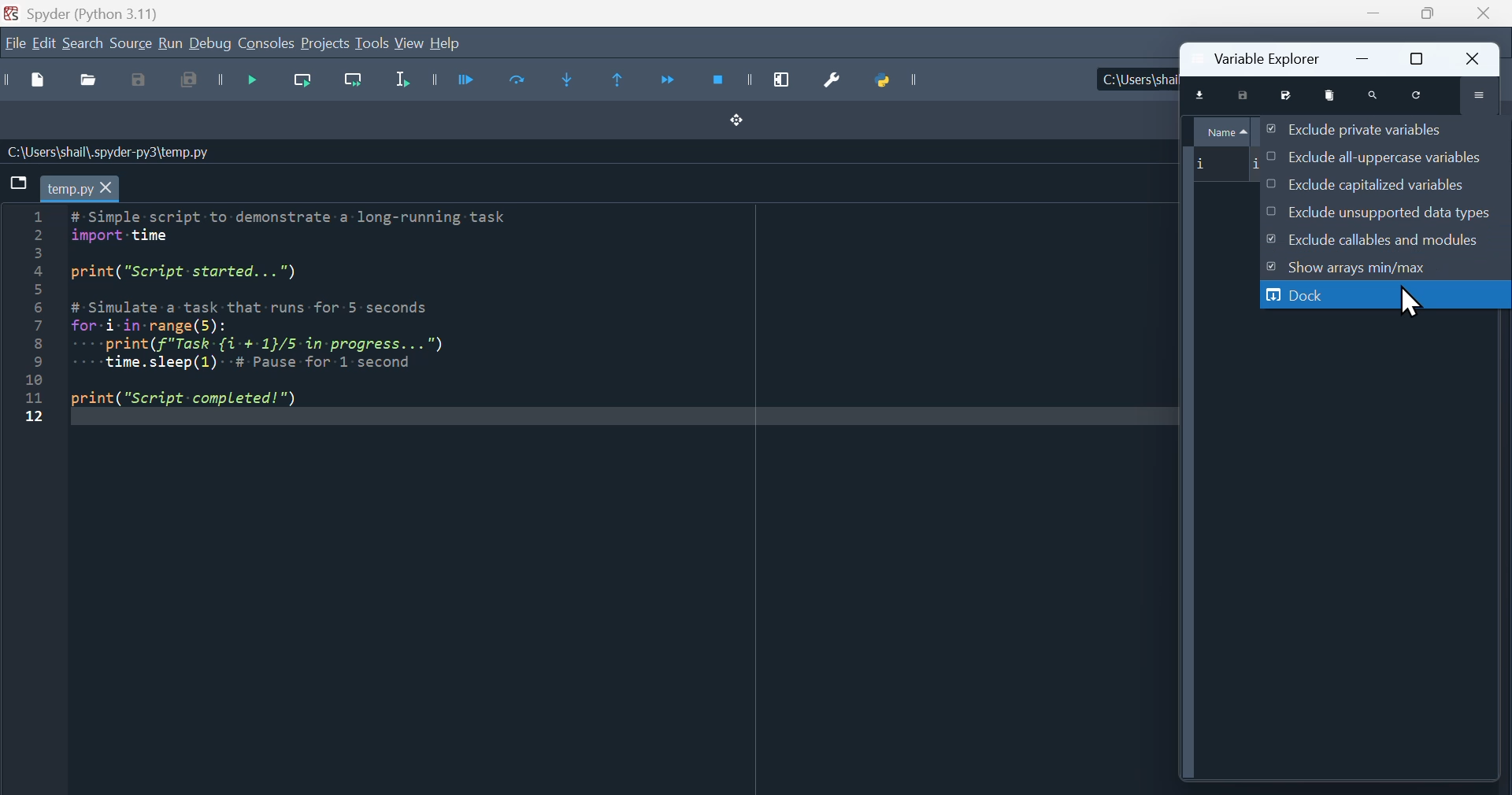 The width and height of the screenshot is (1512, 795). Describe the element at coordinates (1372, 13) in the screenshot. I see `minimise` at that location.